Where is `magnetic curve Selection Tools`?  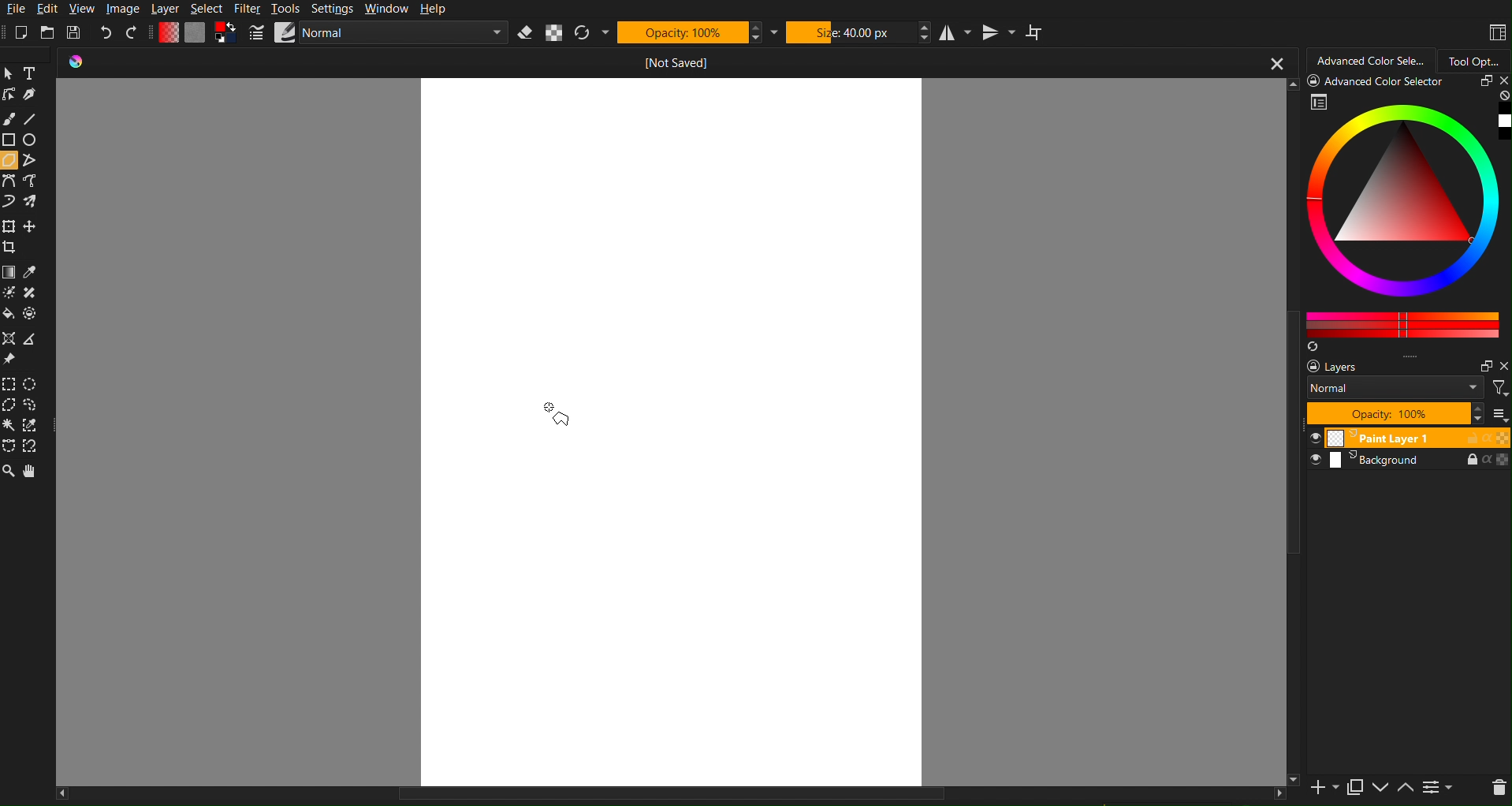
magnetic curve Selection Tools is located at coordinates (37, 448).